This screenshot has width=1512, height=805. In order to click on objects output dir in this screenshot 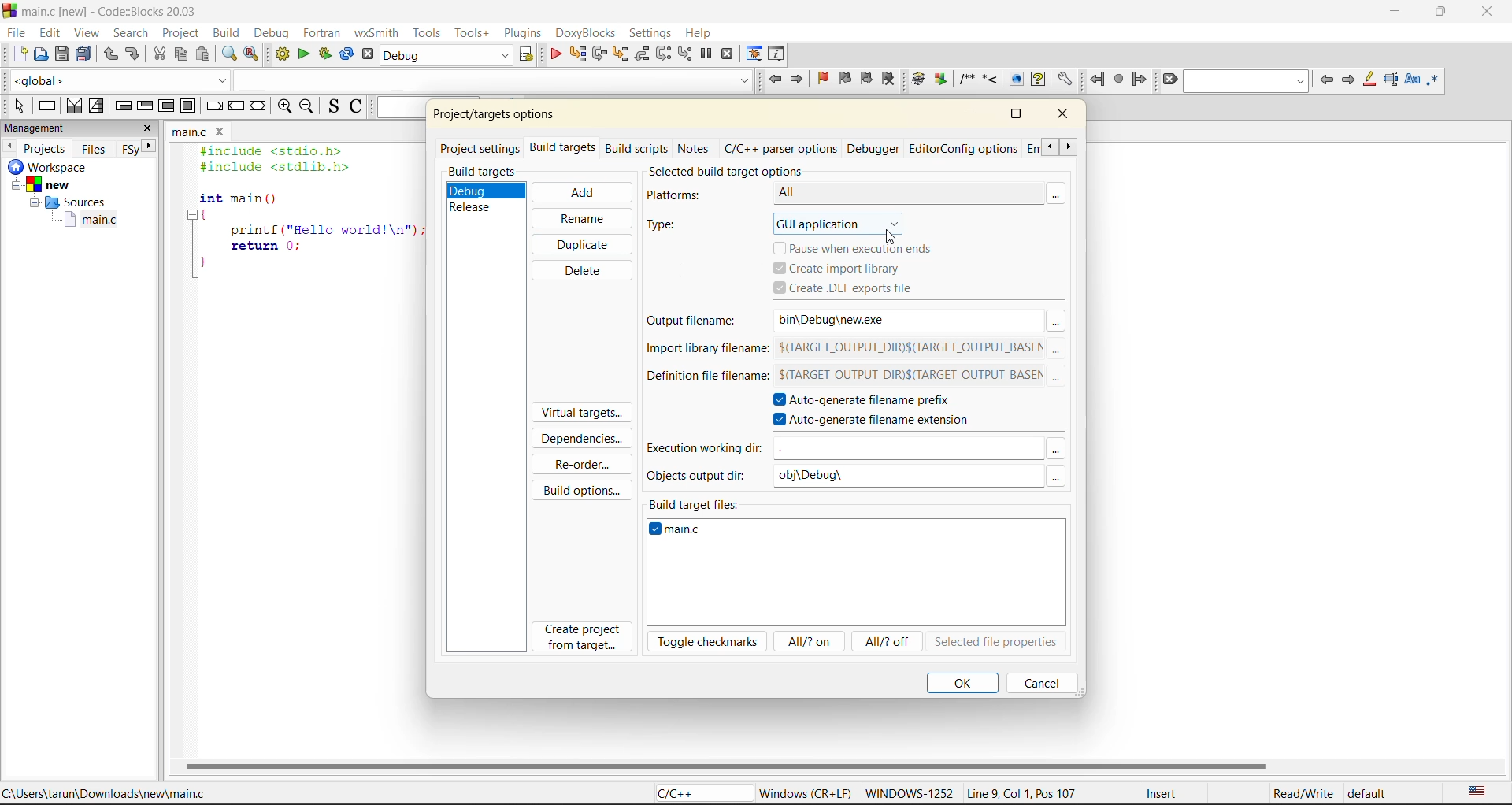, I will do `click(702, 475)`.